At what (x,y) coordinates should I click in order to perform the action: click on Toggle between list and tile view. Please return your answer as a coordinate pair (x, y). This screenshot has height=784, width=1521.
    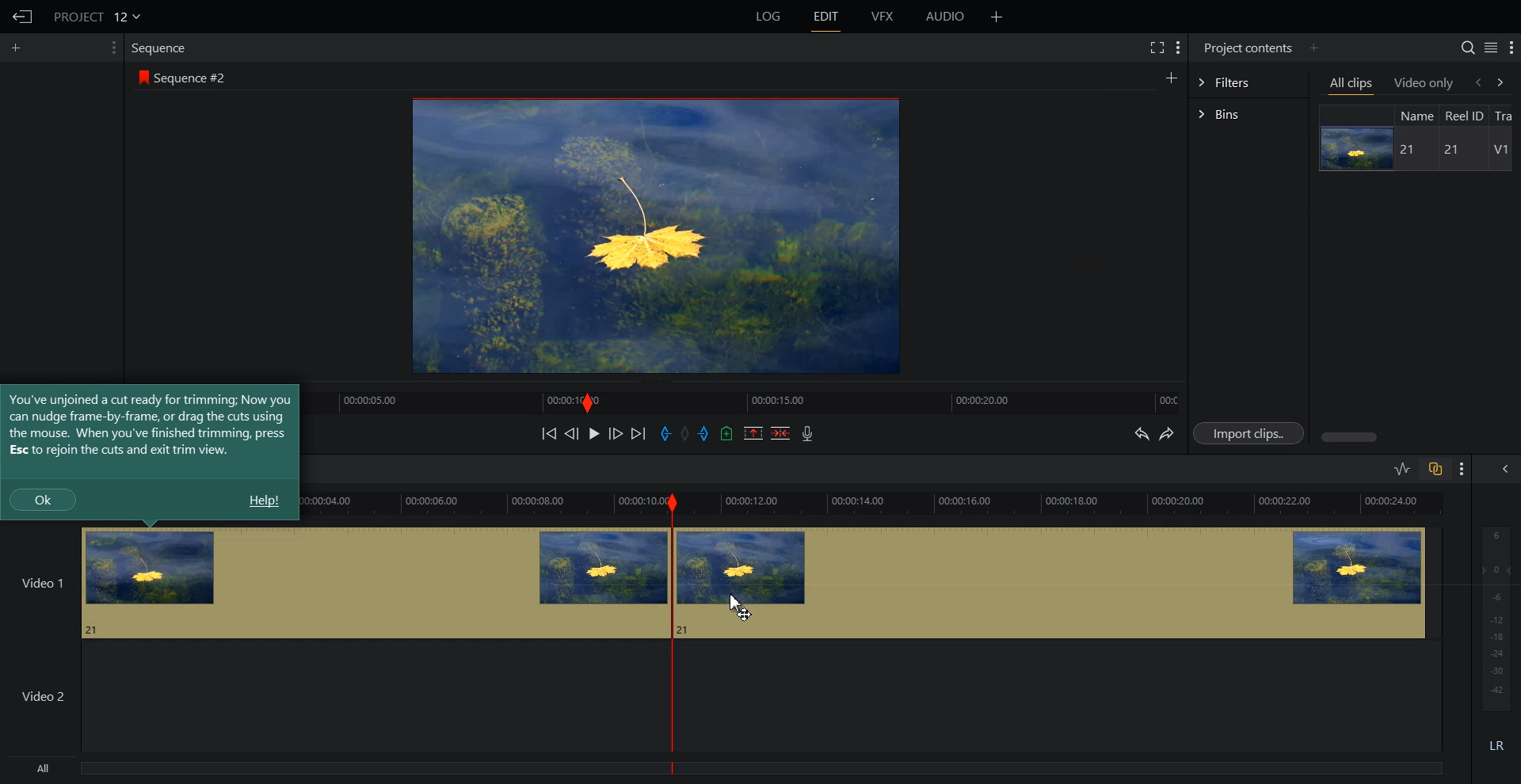
    Looking at the image, I should click on (1490, 47).